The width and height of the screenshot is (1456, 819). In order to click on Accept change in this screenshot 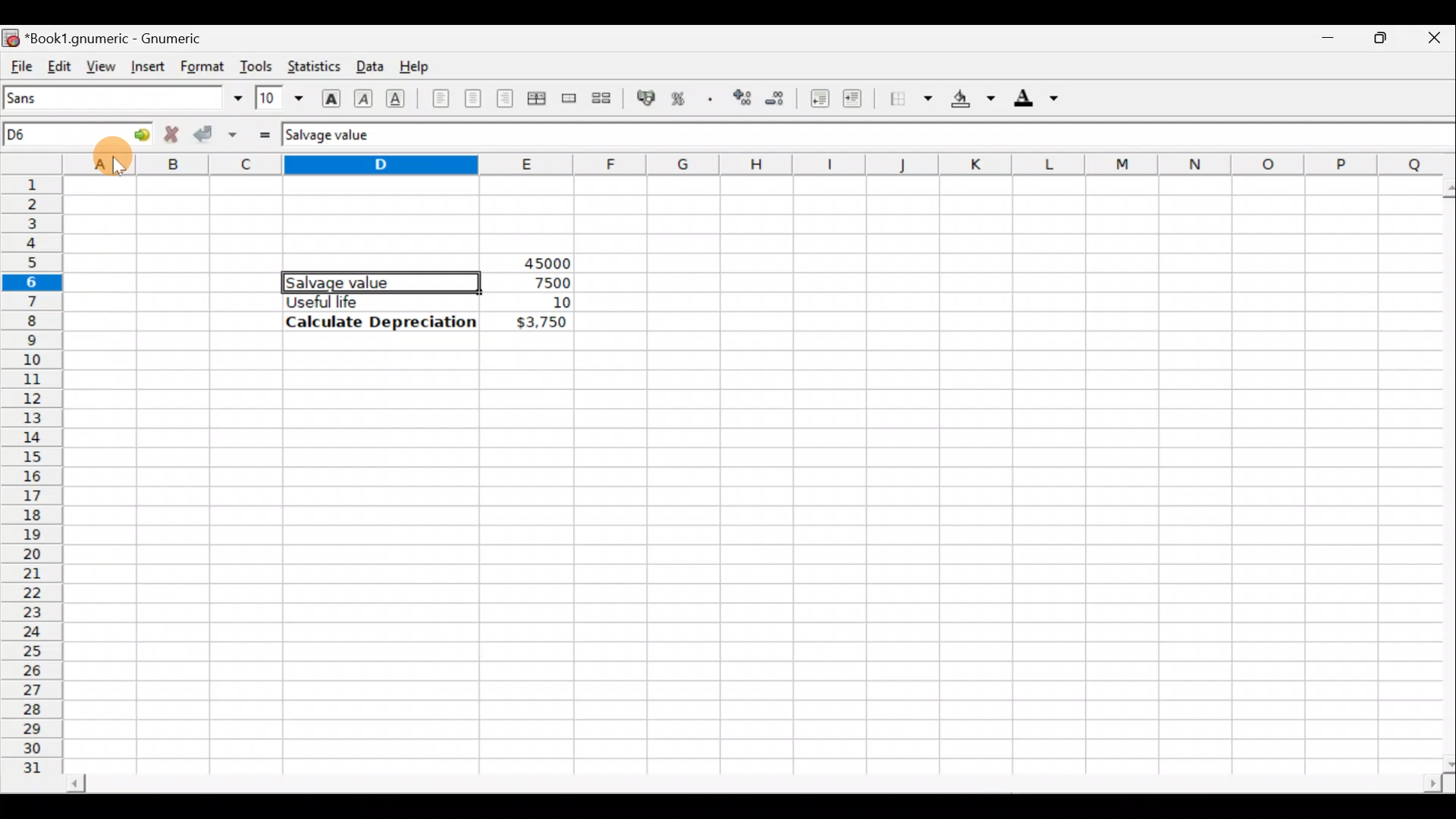, I will do `click(215, 135)`.